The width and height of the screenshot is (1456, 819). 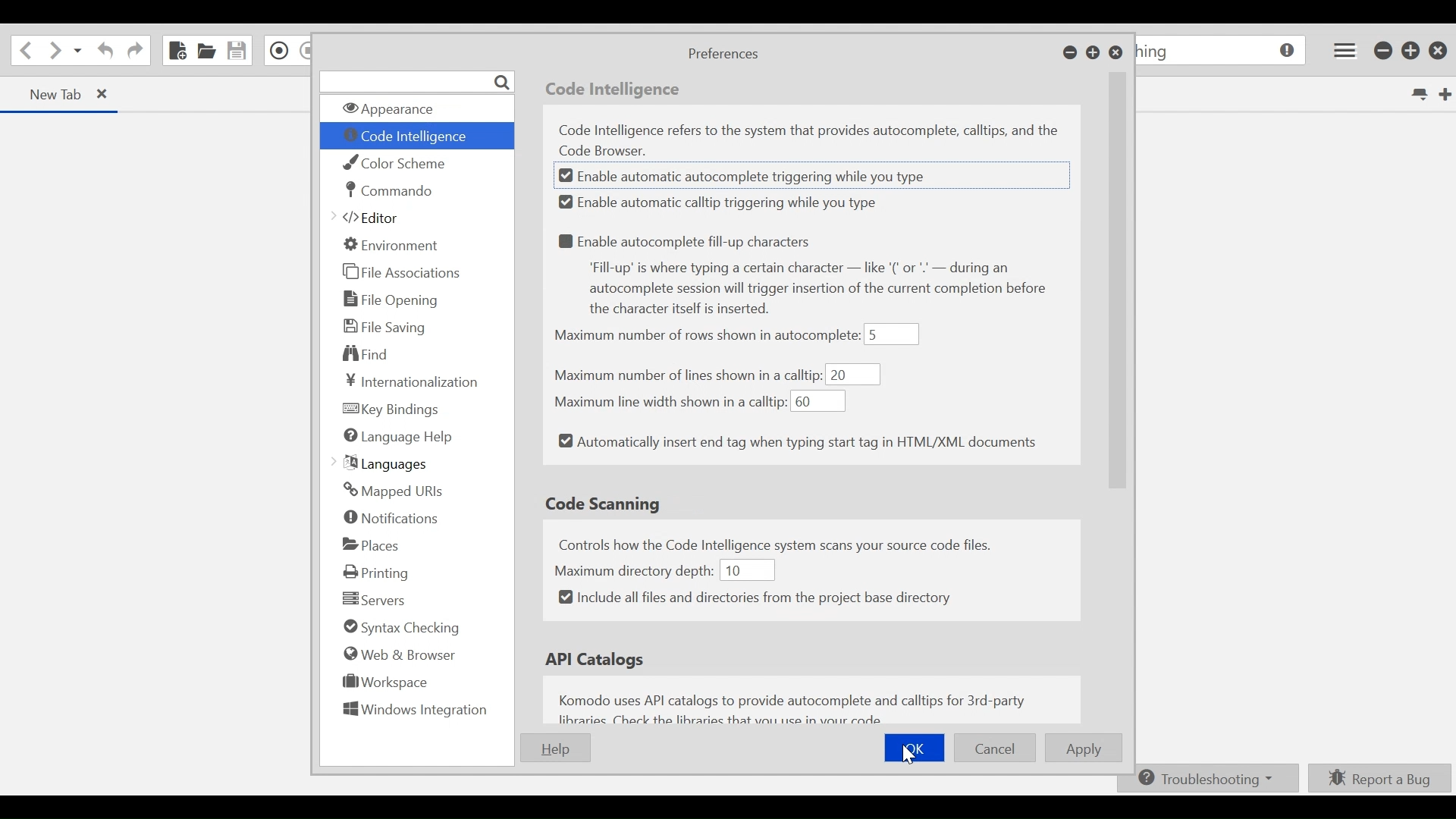 What do you see at coordinates (411, 138) in the screenshot?
I see `Code Intelligence` at bounding box center [411, 138].